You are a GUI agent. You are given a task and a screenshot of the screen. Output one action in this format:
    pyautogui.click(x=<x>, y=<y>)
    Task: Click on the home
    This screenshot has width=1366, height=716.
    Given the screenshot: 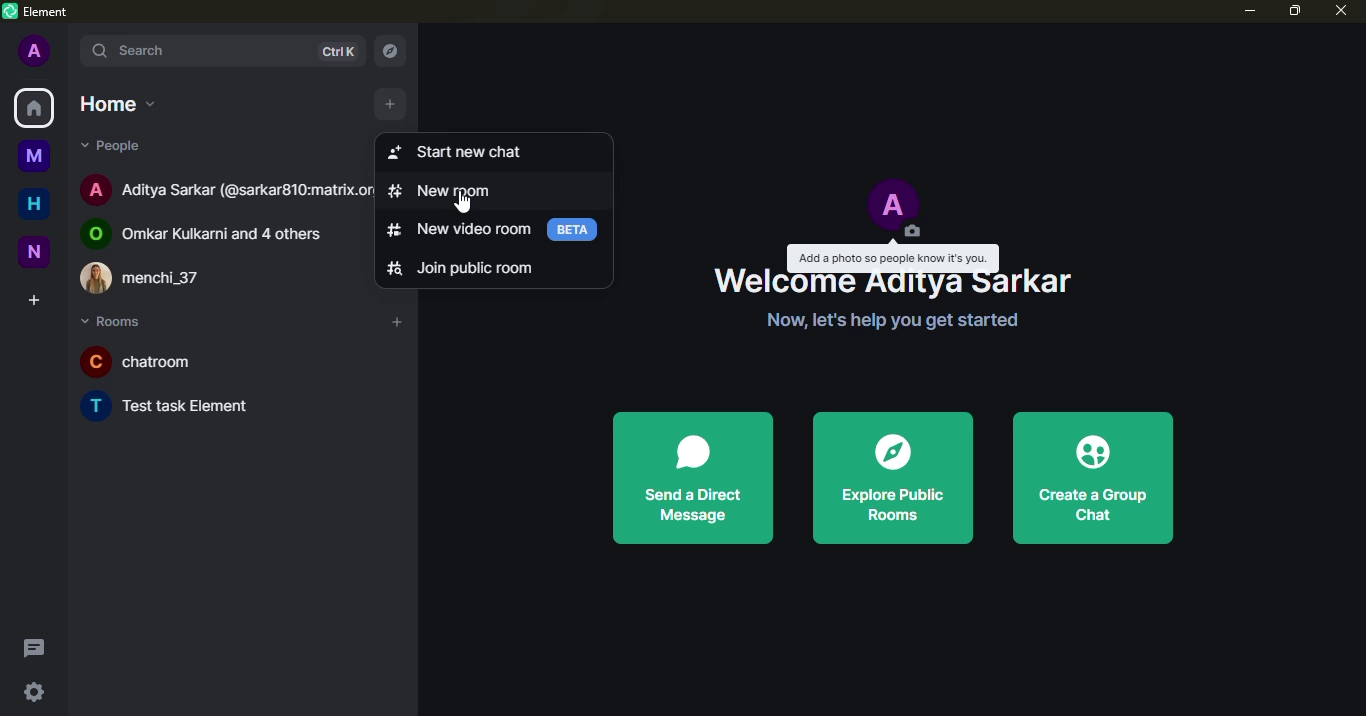 What is the action you would take?
    pyautogui.click(x=34, y=107)
    